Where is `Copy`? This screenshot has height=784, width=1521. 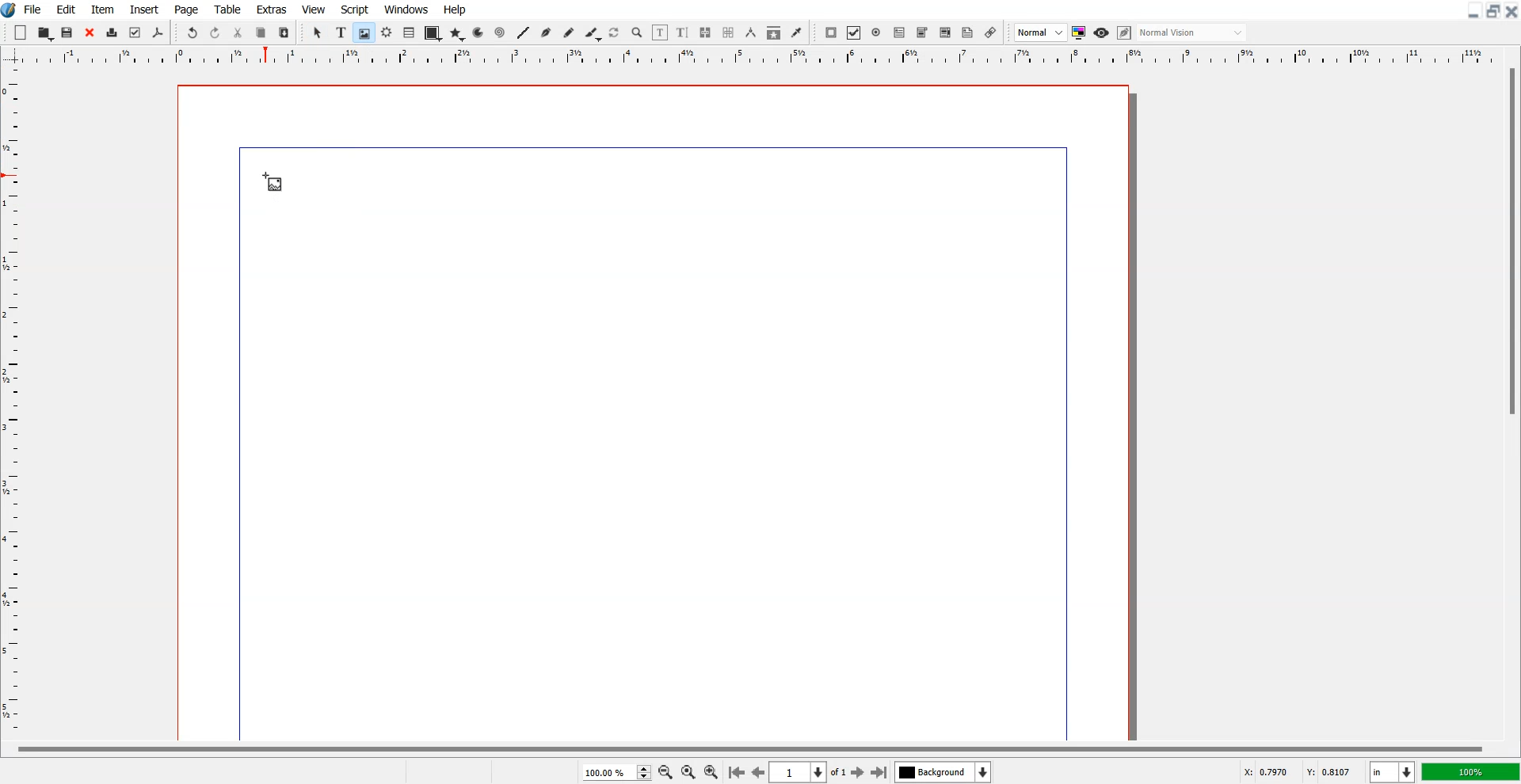 Copy is located at coordinates (261, 32).